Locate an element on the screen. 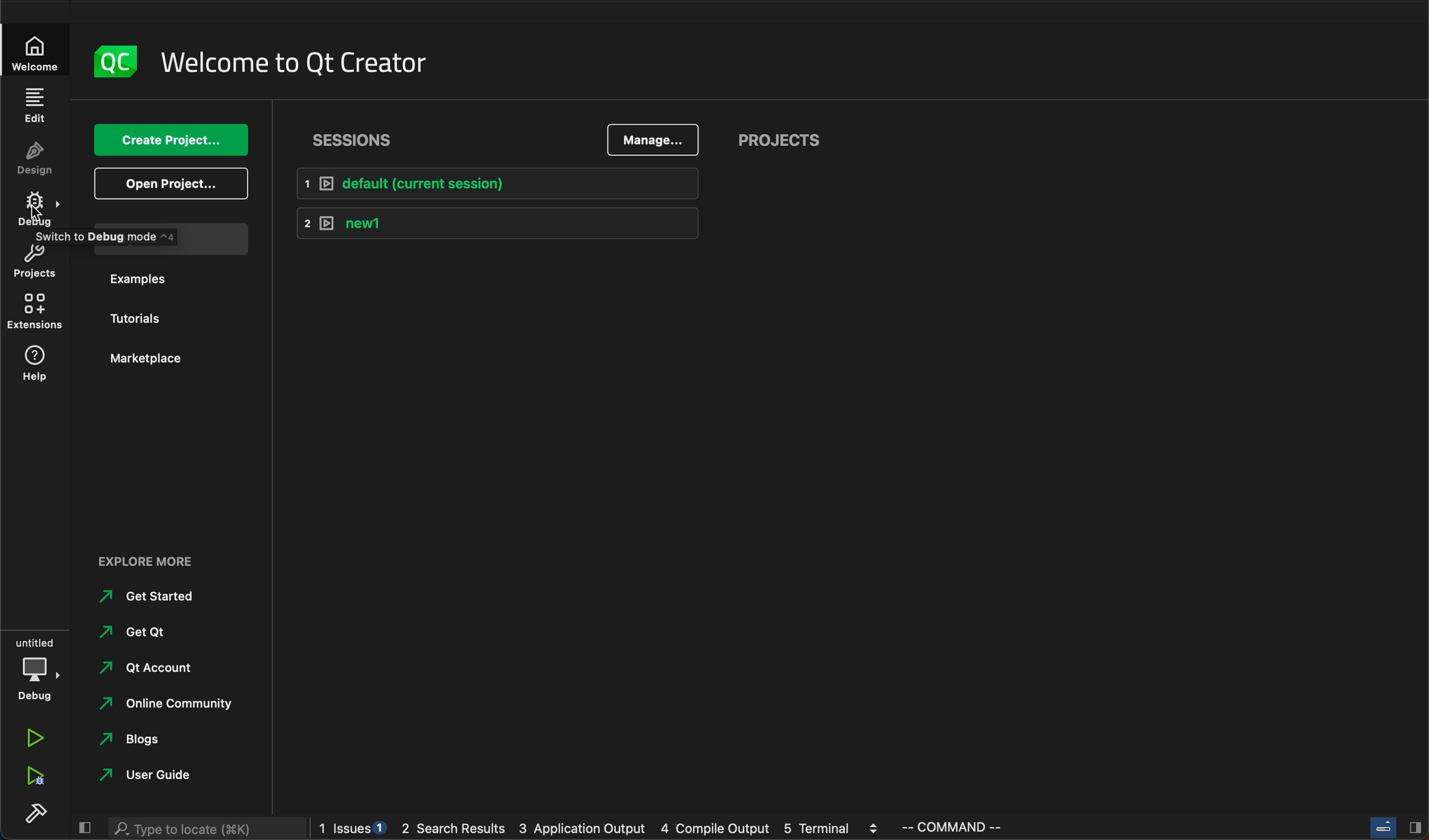 This screenshot has width=1429, height=840. projects is located at coordinates (39, 264).